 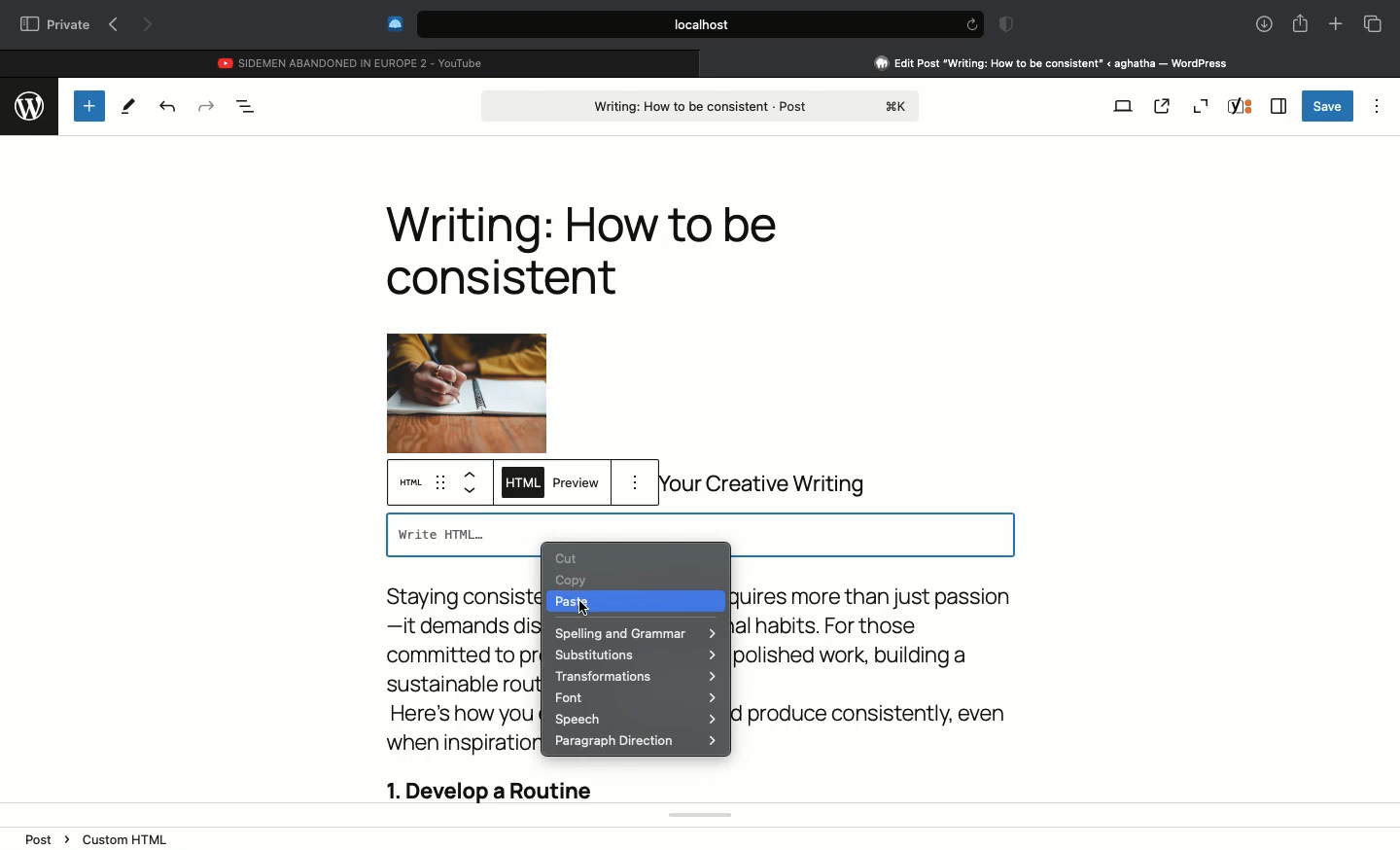 What do you see at coordinates (1261, 25) in the screenshot?
I see `Downlaods` at bounding box center [1261, 25].